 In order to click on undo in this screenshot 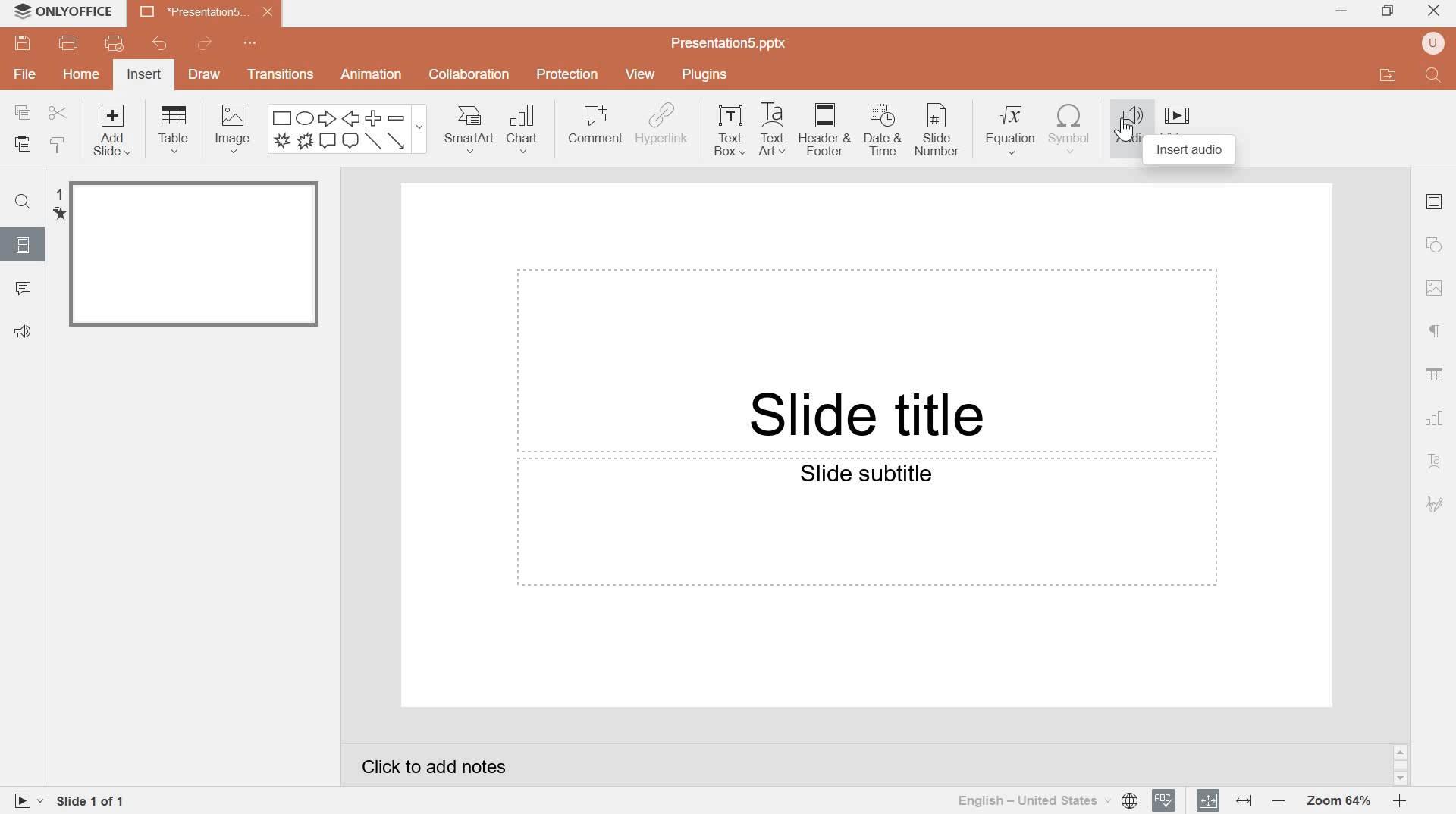, I will do `click(158, 42)`.